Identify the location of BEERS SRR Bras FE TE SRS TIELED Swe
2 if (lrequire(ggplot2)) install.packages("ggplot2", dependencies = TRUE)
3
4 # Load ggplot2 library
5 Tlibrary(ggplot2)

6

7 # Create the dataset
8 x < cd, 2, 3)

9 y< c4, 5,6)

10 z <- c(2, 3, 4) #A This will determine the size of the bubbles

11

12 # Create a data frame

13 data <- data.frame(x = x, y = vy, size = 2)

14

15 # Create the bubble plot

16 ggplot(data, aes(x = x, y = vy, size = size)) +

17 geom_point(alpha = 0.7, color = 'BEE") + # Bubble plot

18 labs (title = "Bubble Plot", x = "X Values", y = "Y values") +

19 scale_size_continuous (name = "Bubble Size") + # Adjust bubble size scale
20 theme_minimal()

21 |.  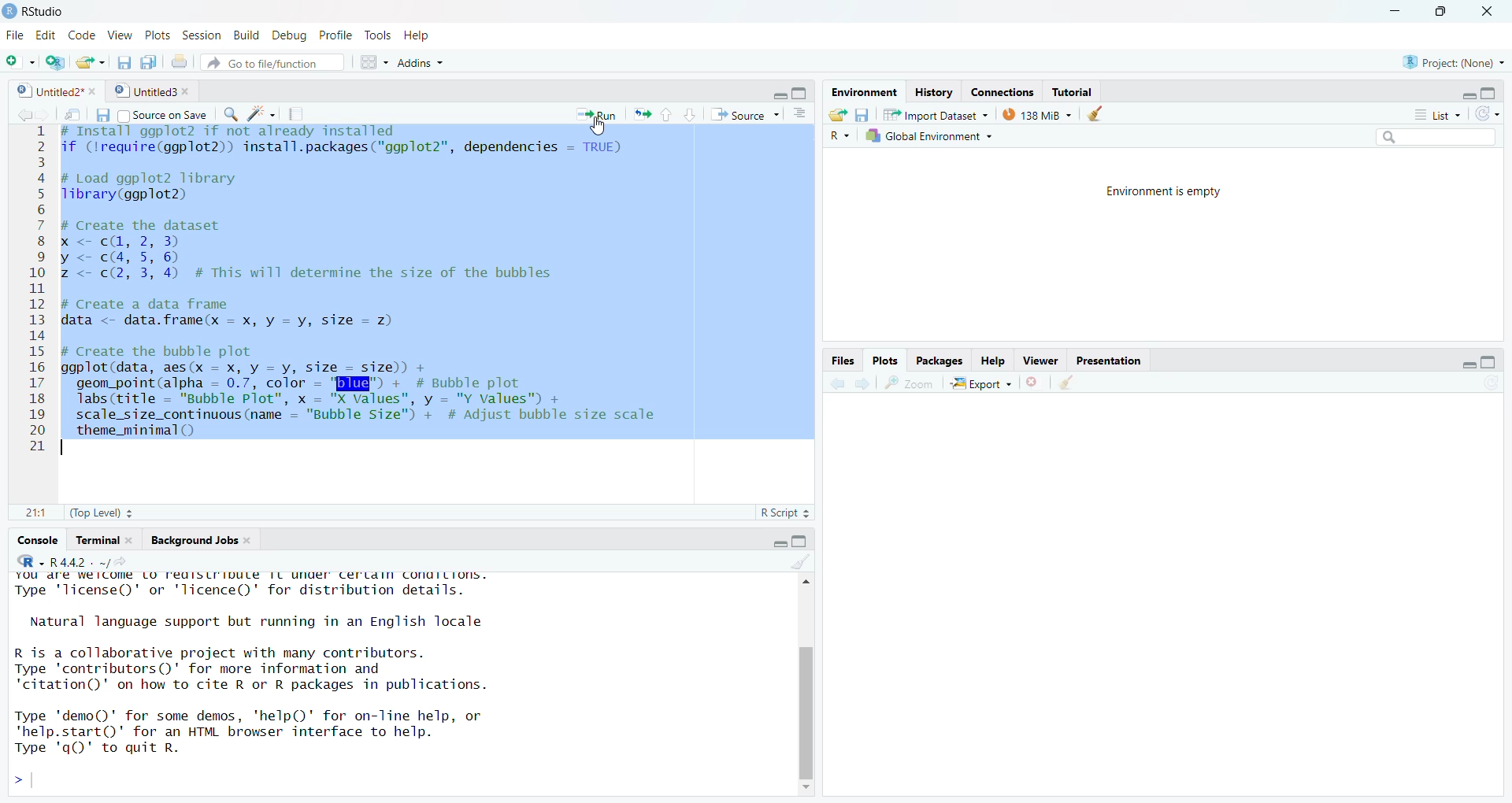
(379, 297).